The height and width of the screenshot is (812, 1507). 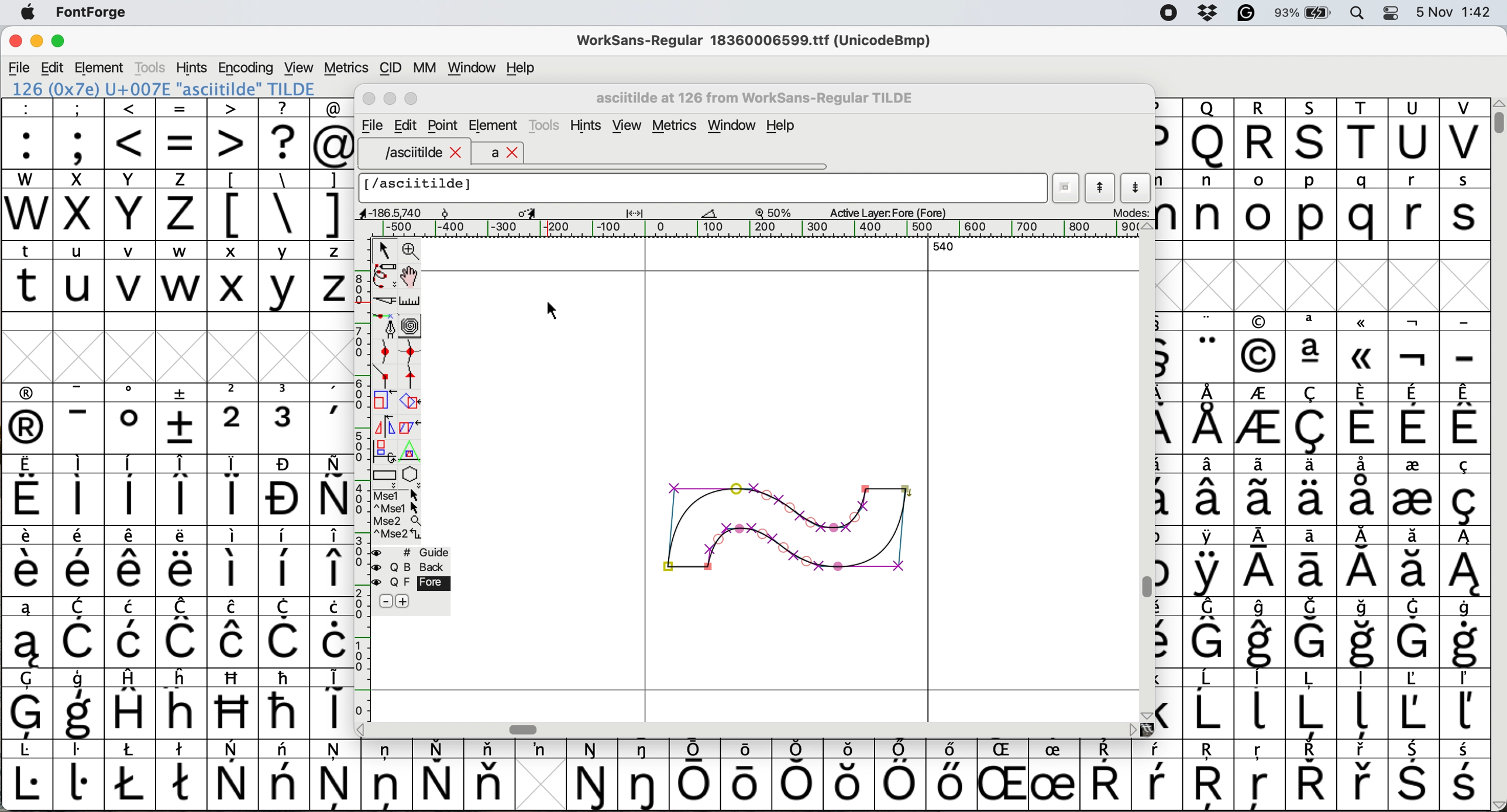 What do you see at coordinates (1006, 775) in the screenshot?
I see `` at bounding box center [1006, 775].